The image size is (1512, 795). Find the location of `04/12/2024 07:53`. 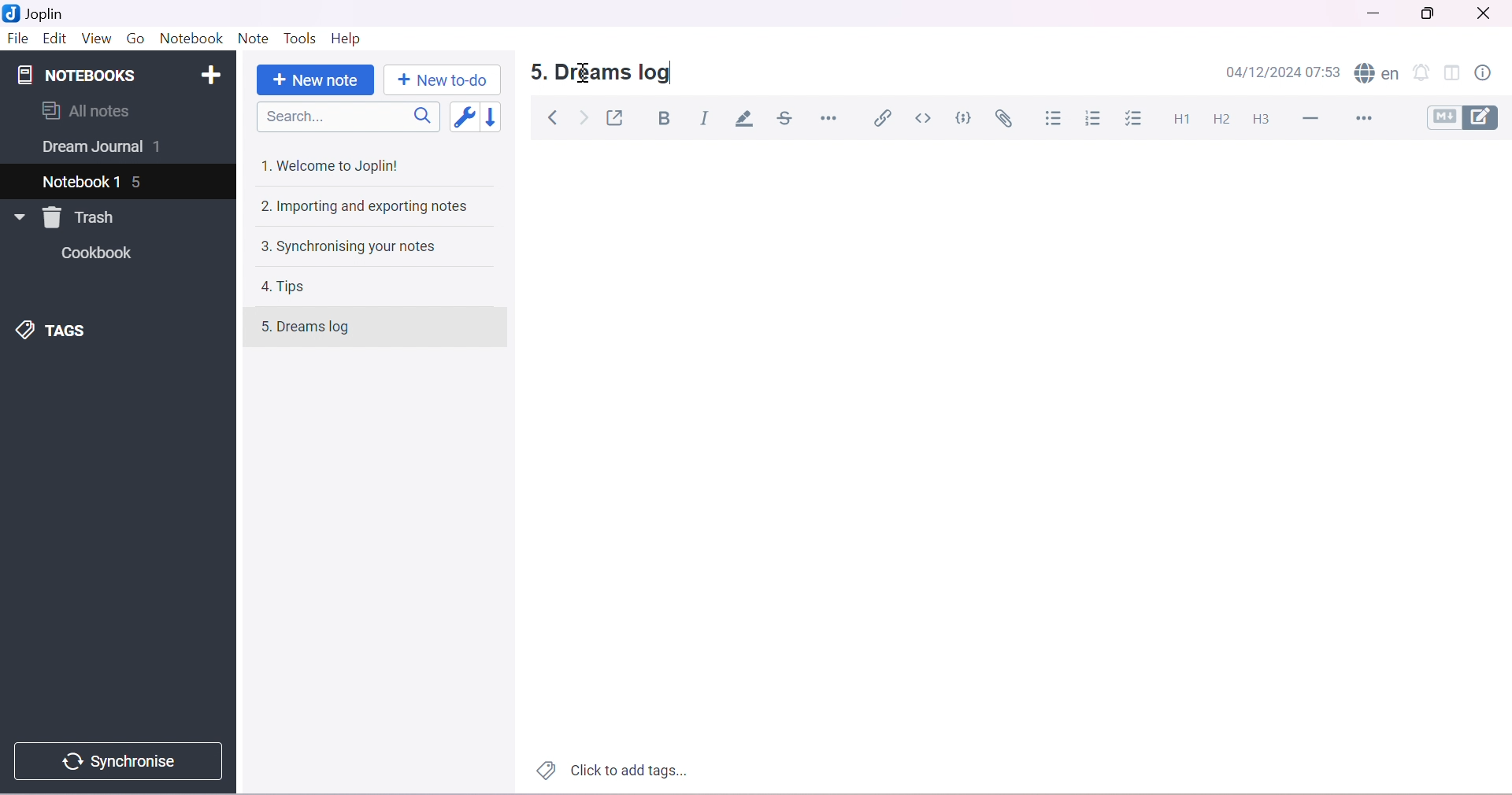

04/12/2024 07:53 is located at coordinates (1287, 72).